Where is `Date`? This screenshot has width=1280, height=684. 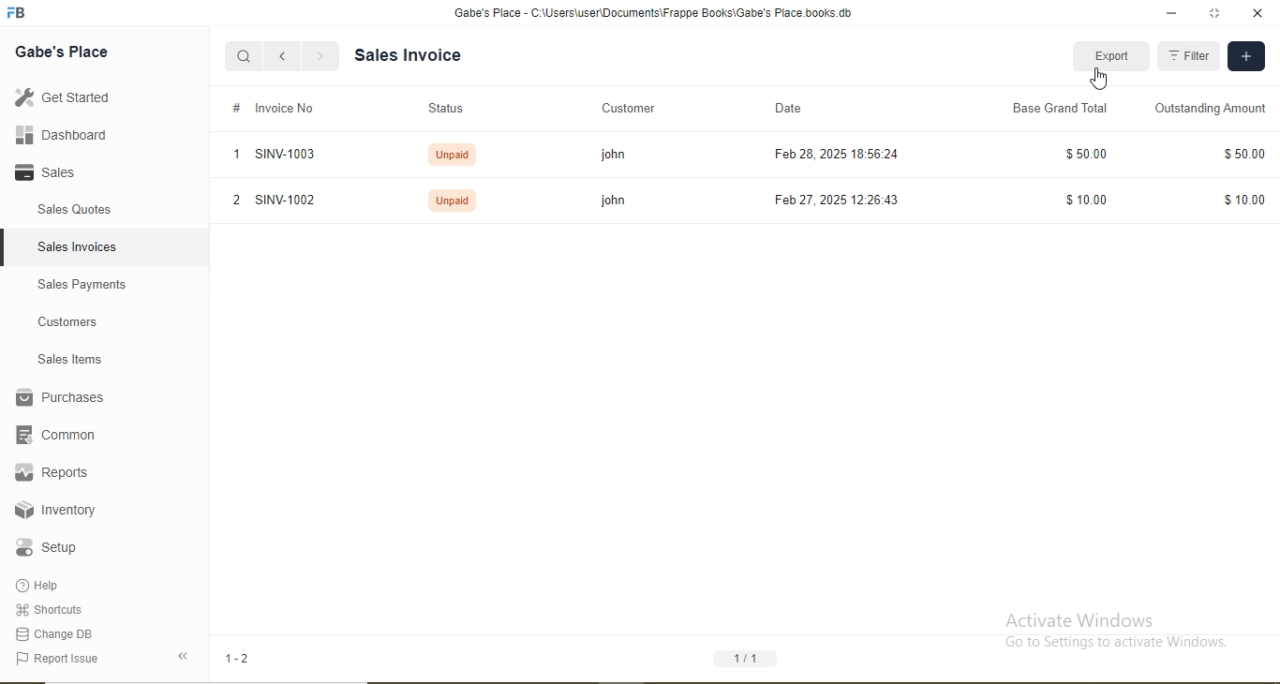 Date is located at coordinates (787, 107).